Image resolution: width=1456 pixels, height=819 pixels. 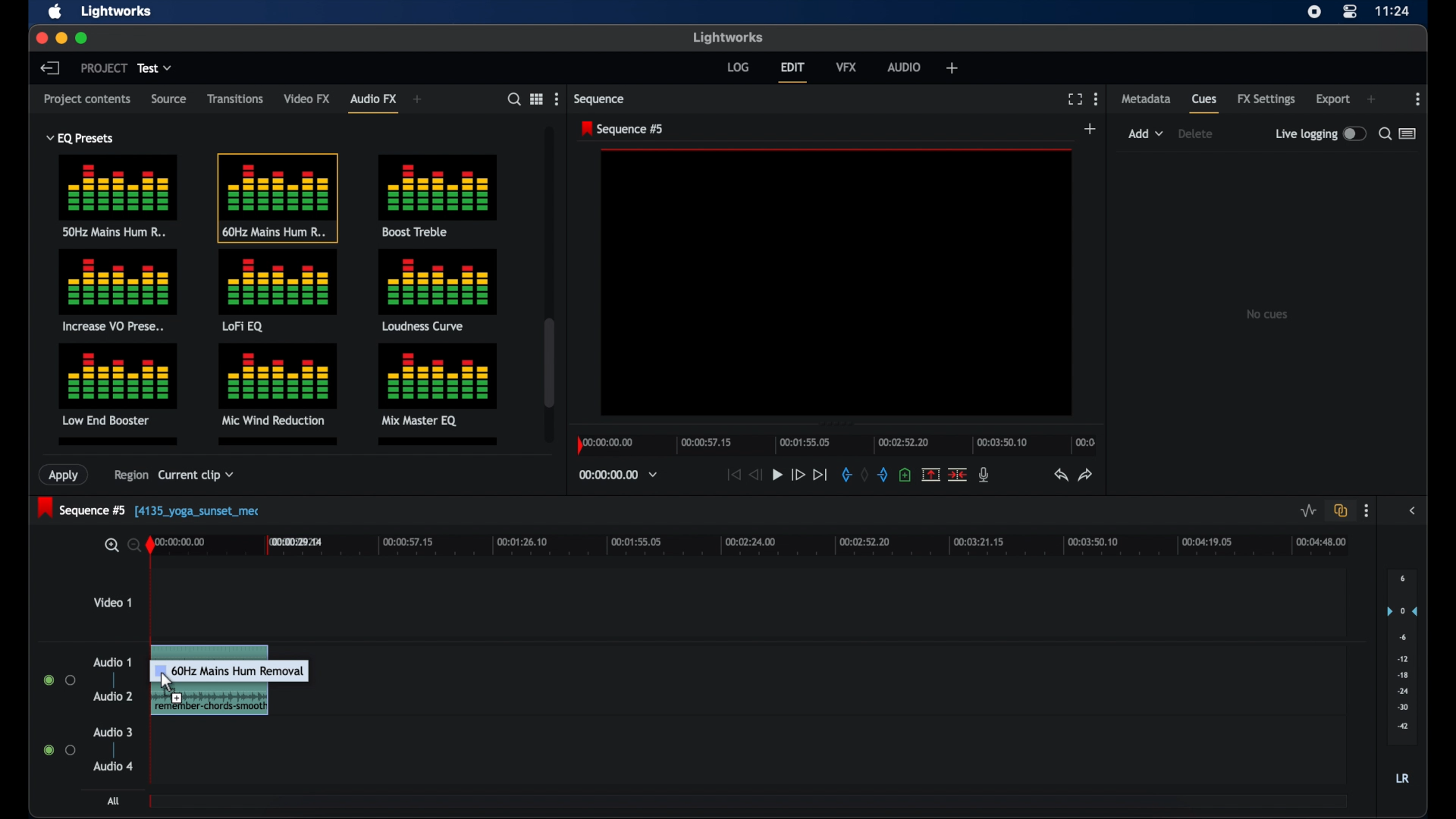 I want to click on audio, so click(x=905, y=66).